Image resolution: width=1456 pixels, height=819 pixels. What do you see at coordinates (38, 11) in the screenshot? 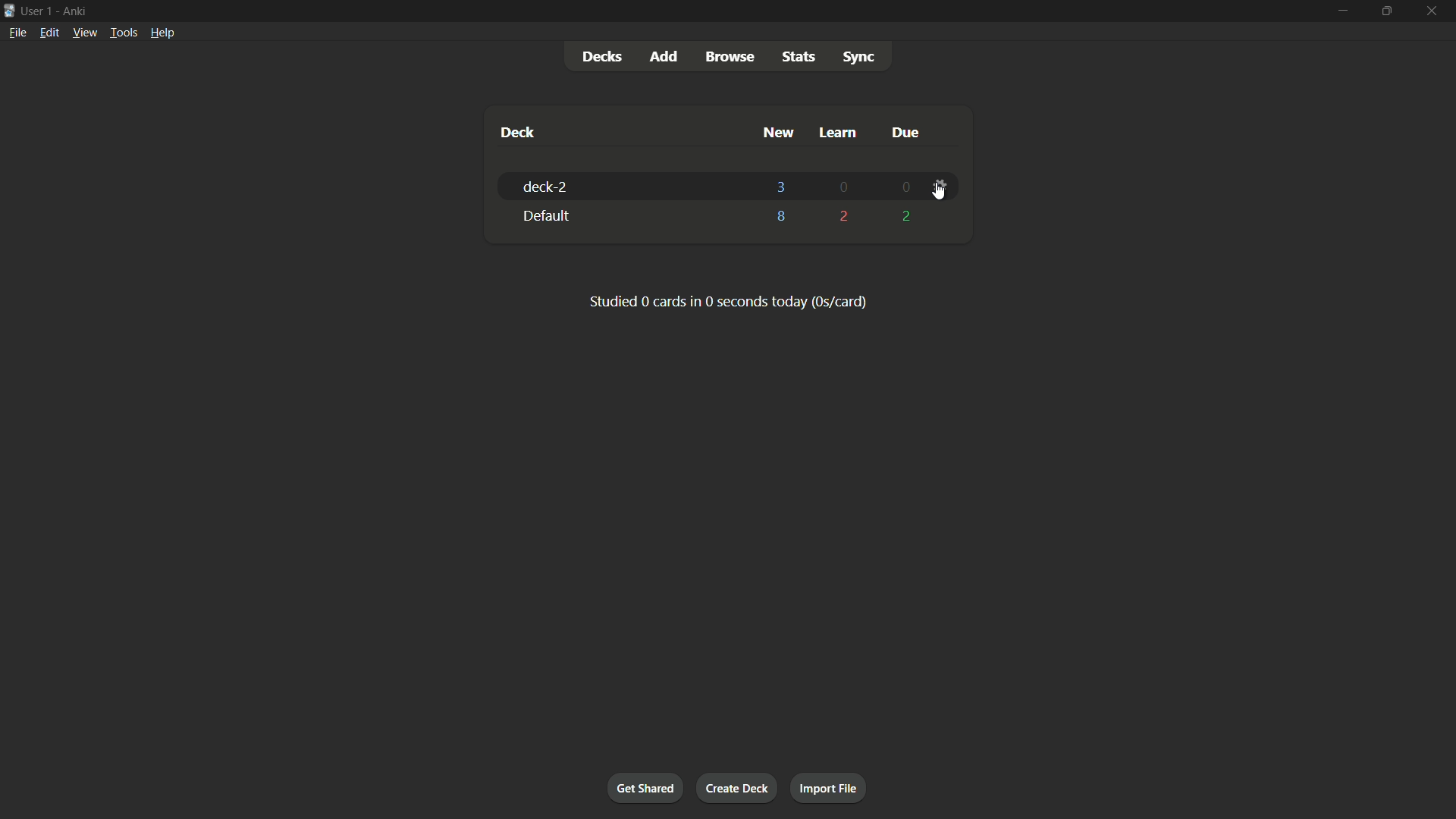
I see `user 1` at bounding box center [38, 11].